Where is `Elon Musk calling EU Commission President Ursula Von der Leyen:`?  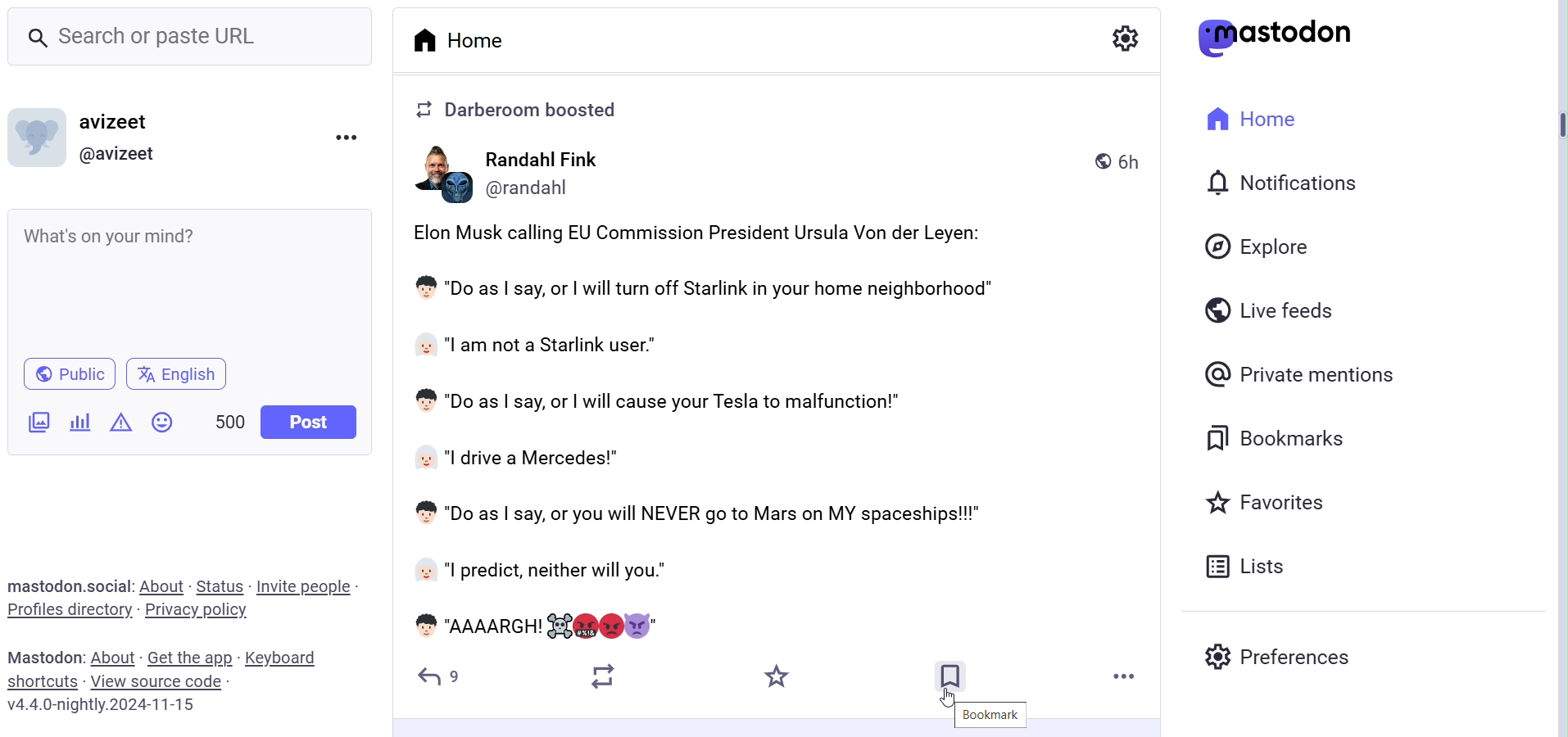
Elon Musk calling EU Commission President Ursula Von der Leyen: is located at coordinates (703, 233).